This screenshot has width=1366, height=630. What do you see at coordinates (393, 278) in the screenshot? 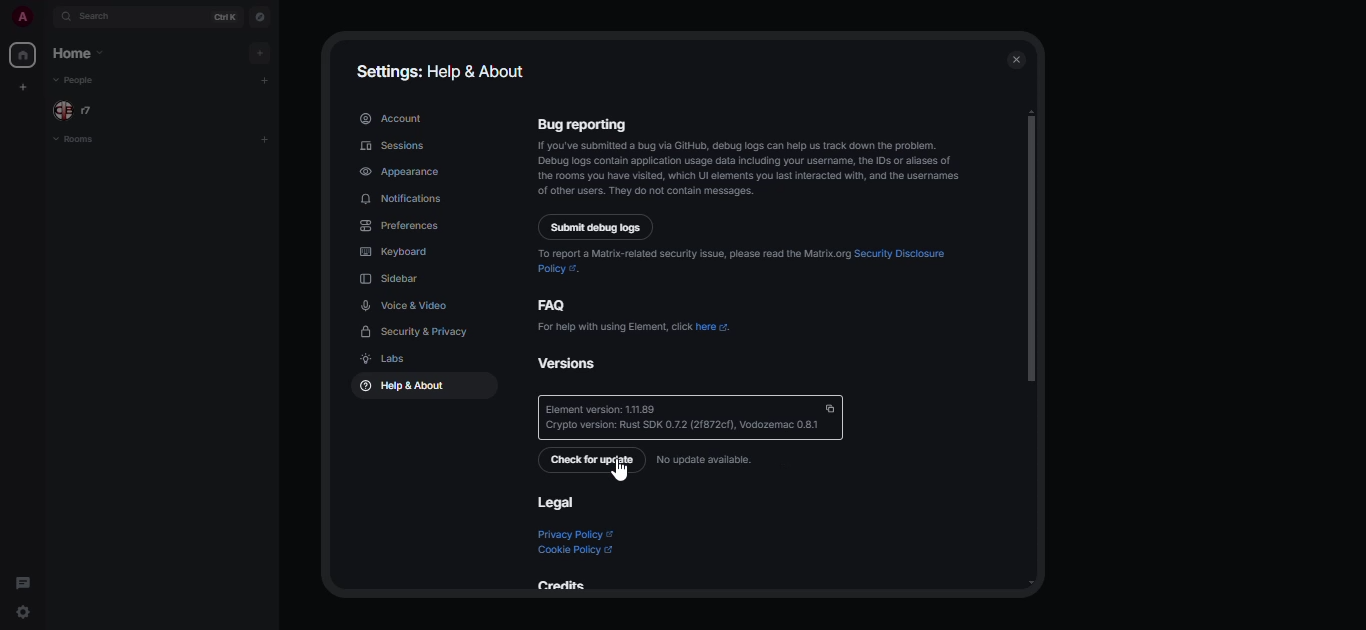
I see `sidebar` at bounding box center [393, 278].